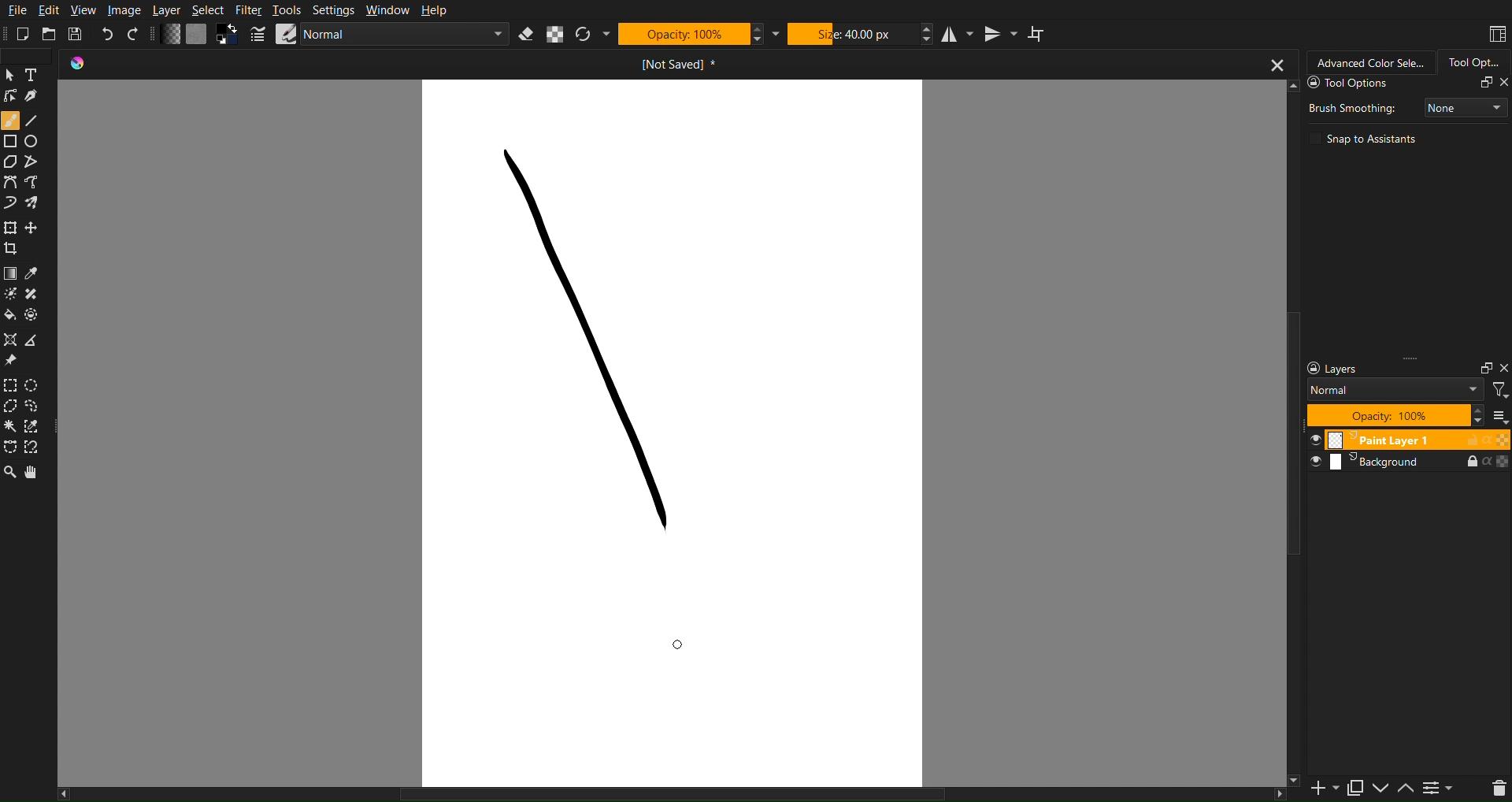 The image size is (1512, 802). What do you see at coordinates (1503, 368) in the screenshot?
I see `Close` at bounding box center [1503, 368].